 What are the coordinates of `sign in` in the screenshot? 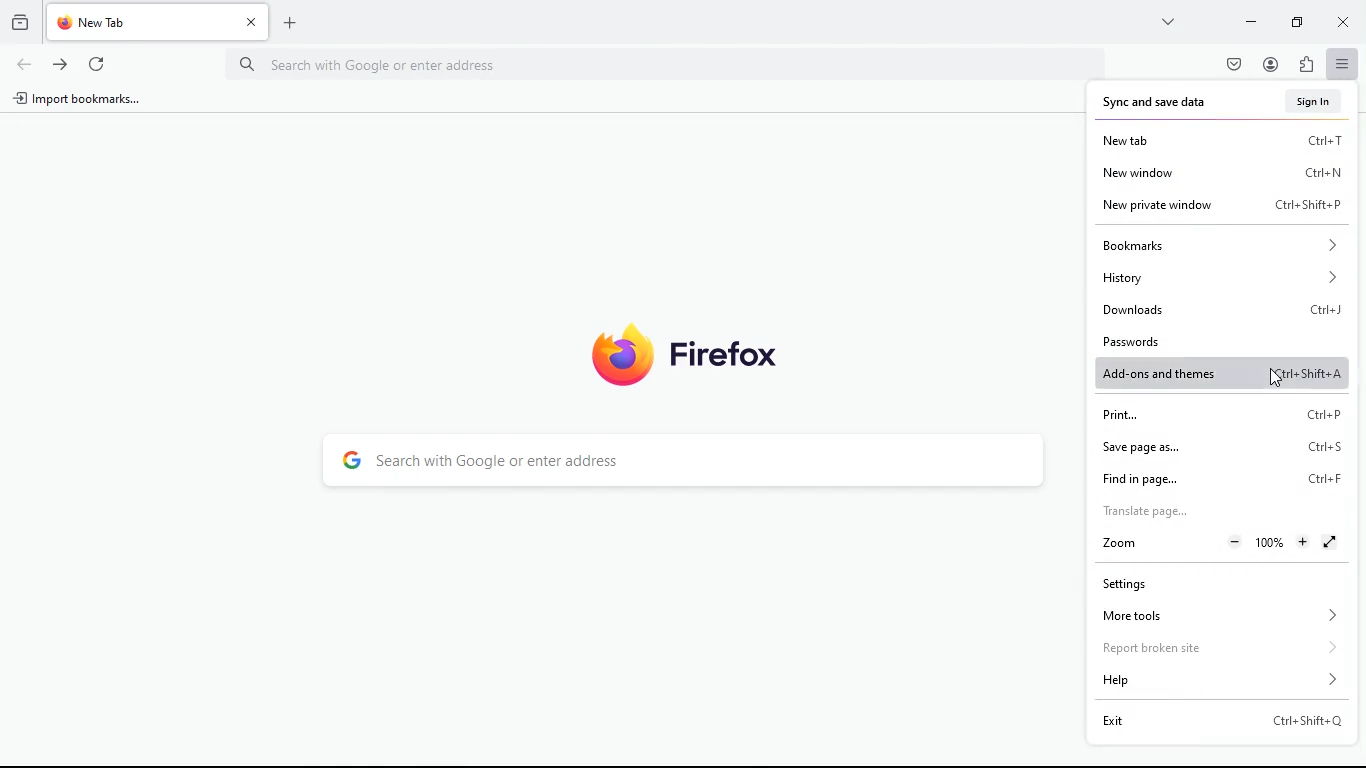 It's located at (1316, 99).